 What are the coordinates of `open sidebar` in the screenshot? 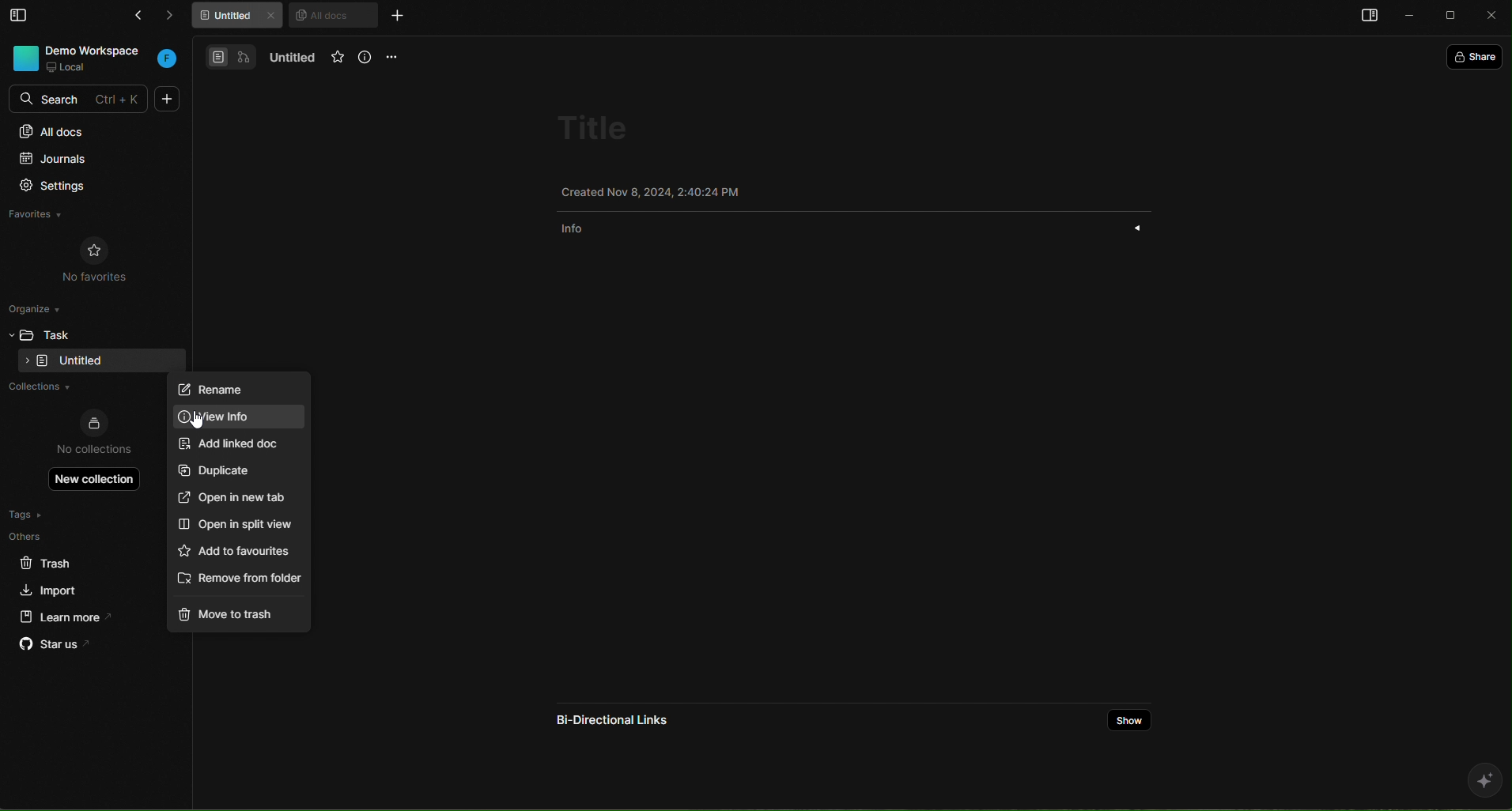 It's located at (1366, 17).